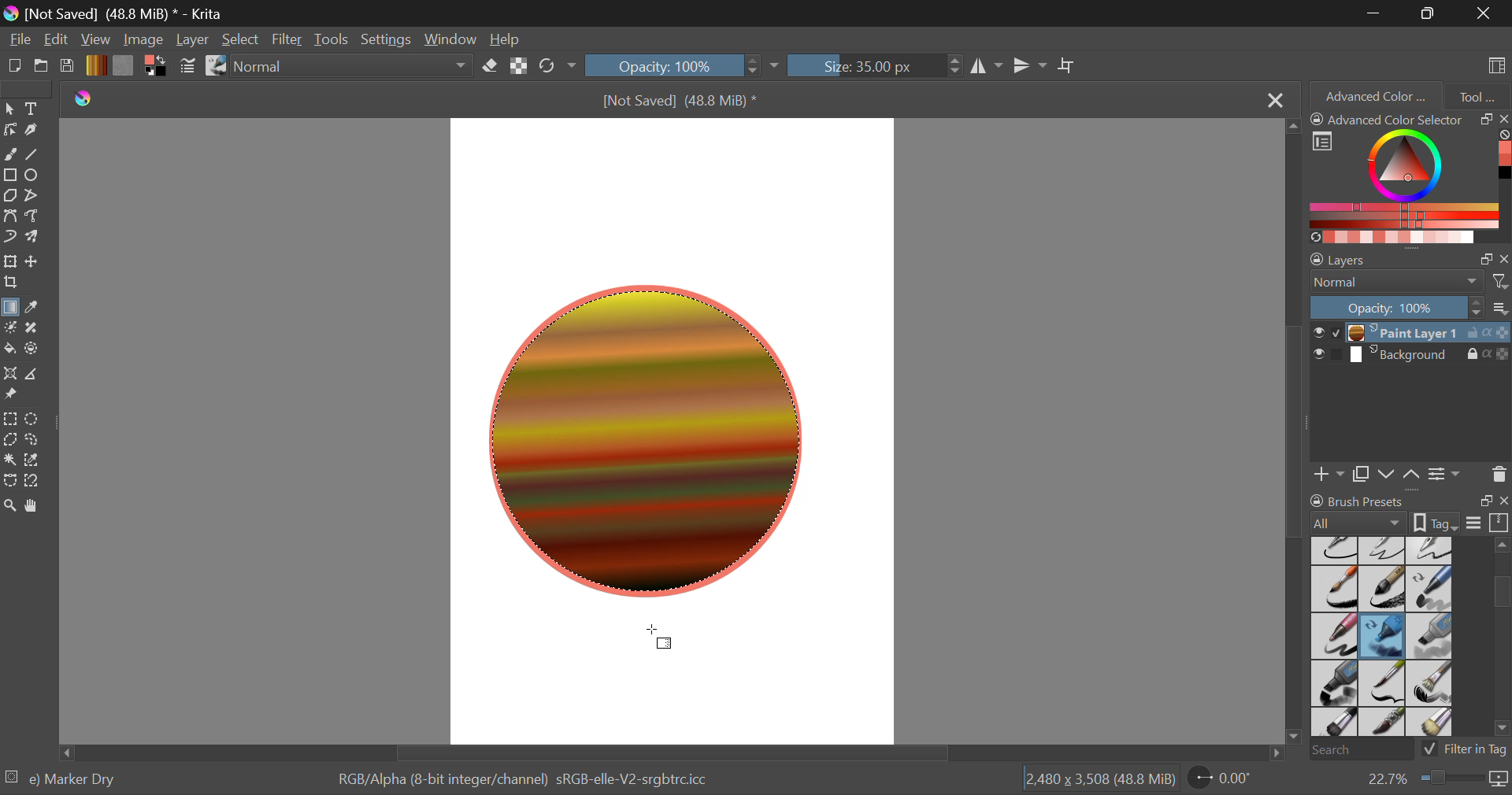  What do you see at coordinates (34, 439) in the screenshot?
I see `Freehand Selection Tool` at bounding box center [34, 439].